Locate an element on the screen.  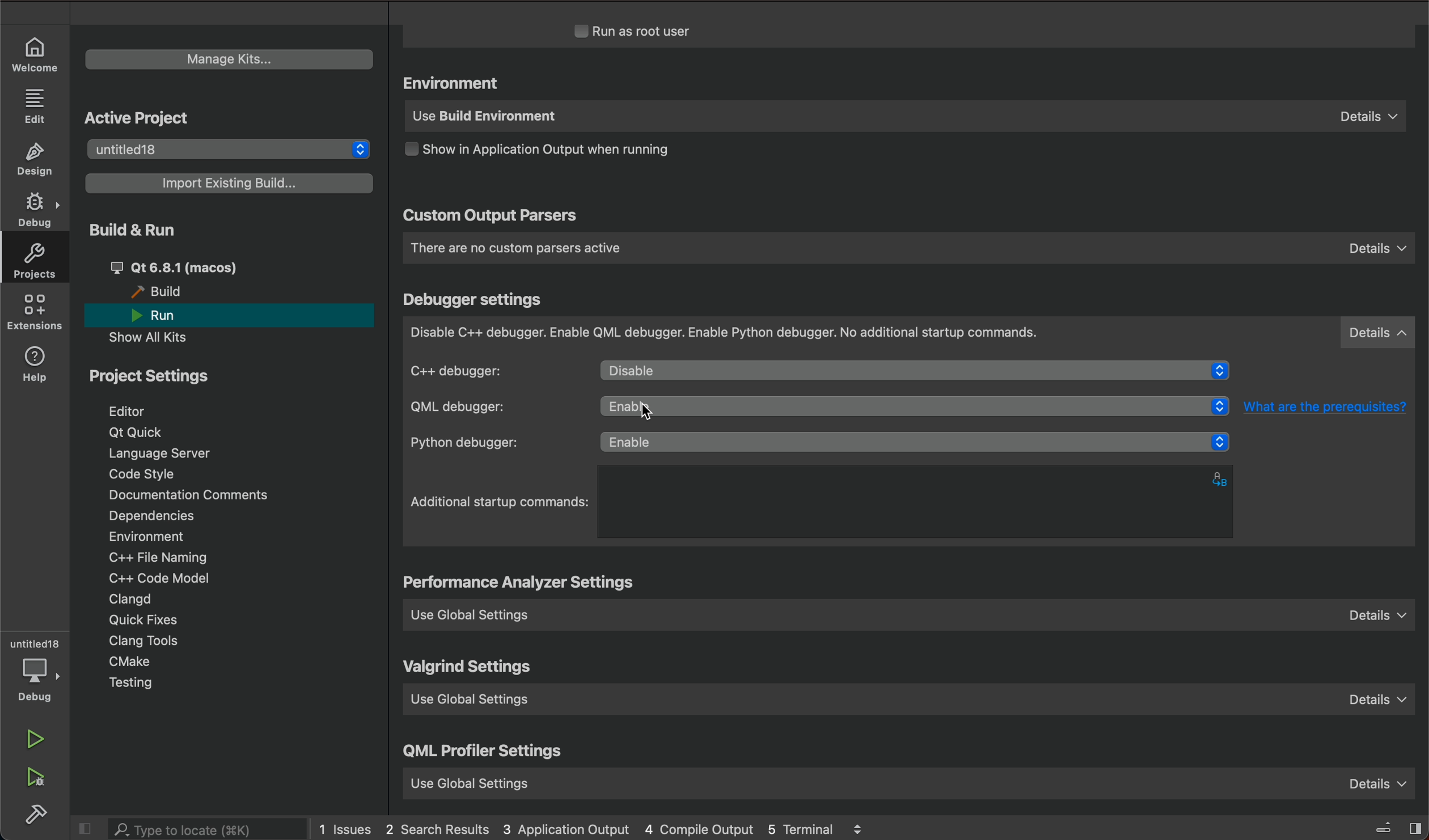
alphabets is located at coordinates (1223, 478).